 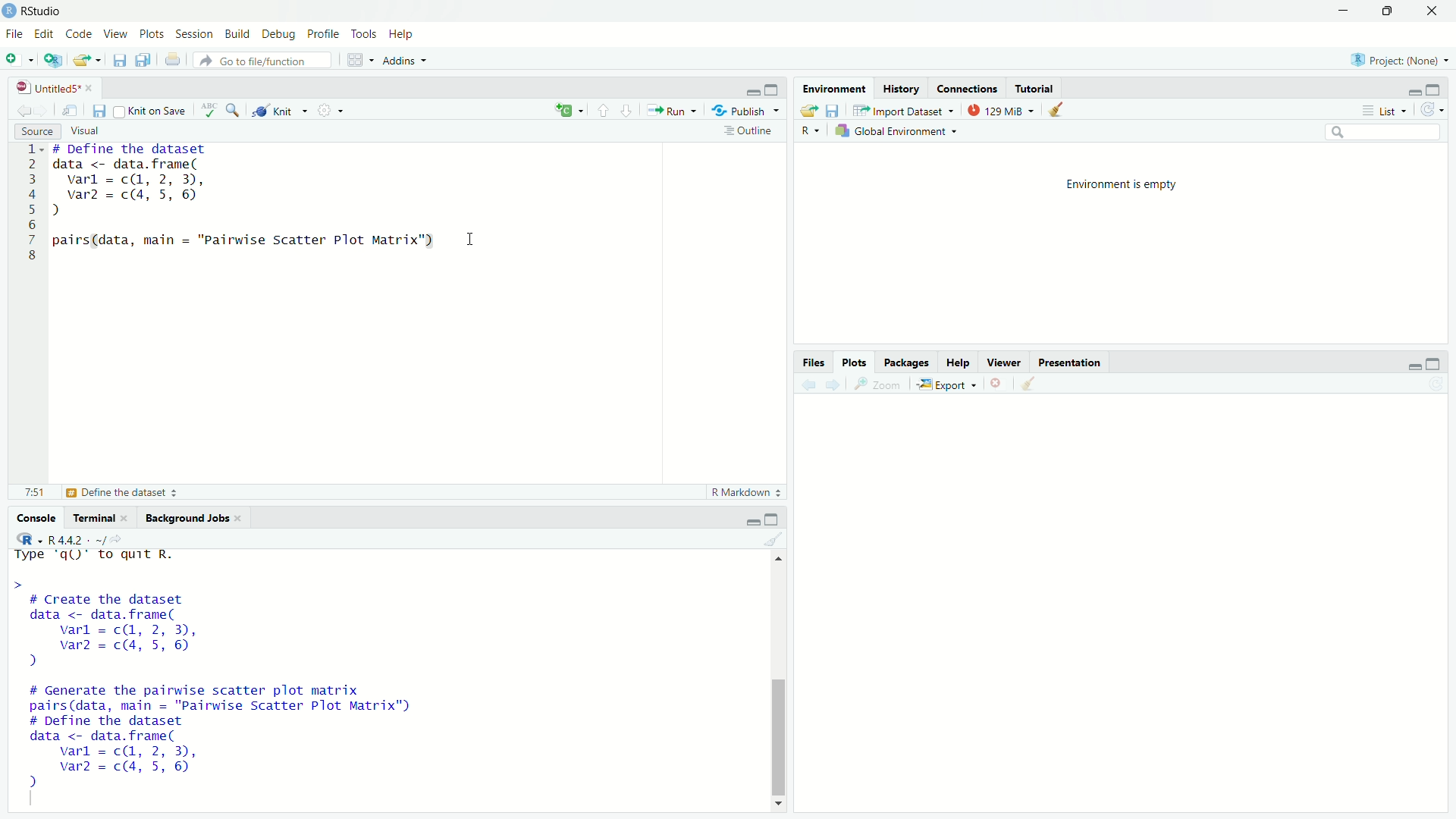 What do you see at coordinates (908, 362) in the screenshot?
I see `Packages` at bounding box center [908, 362].